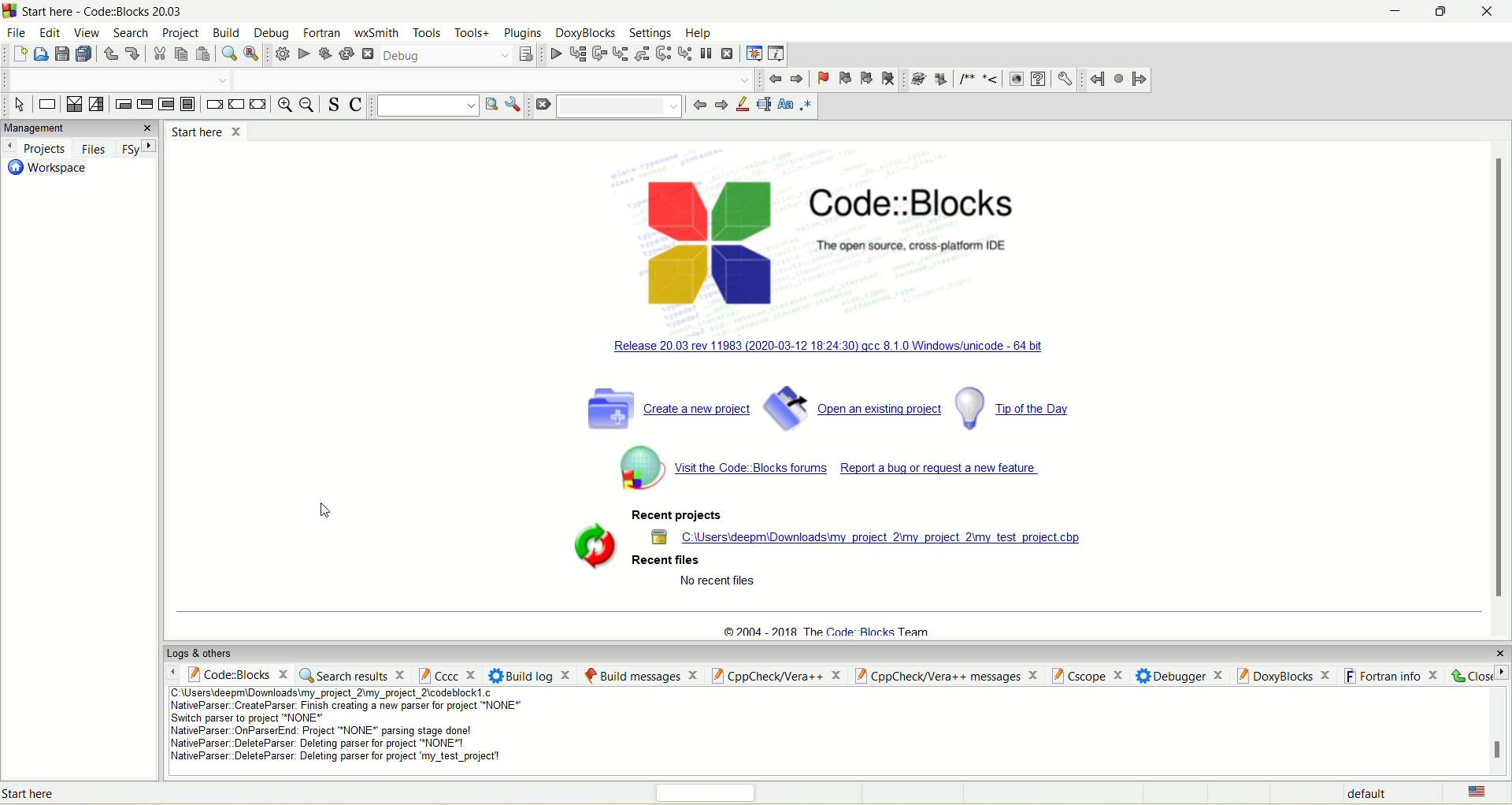 The height and width of the screenshot is (805, 1512). Describe the element at coordinates (866, 80) in the screenshot. I see `next bookmark` at that location.